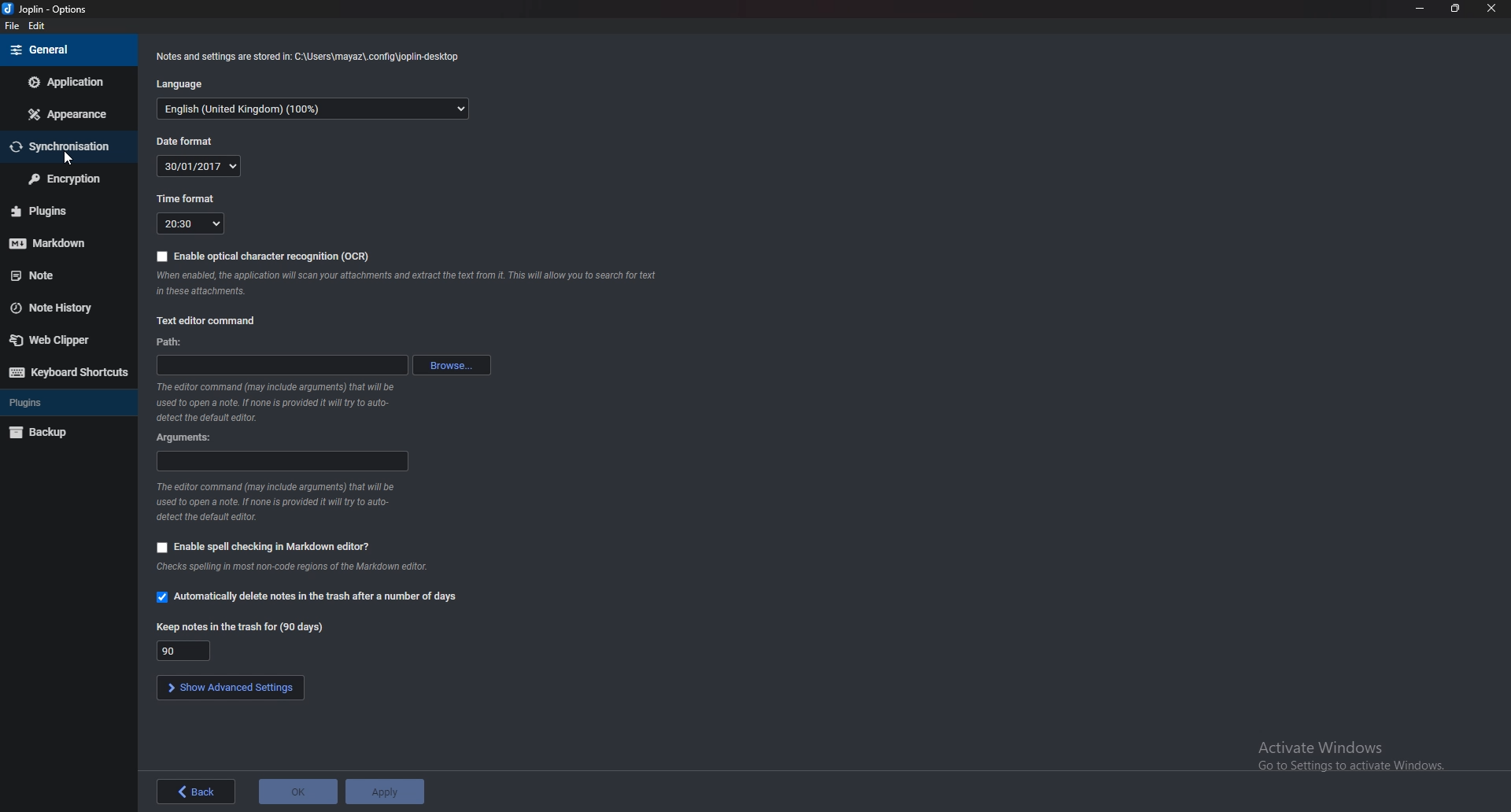  What do you see at coordinates (263, 547) in the screenshot?
I see `enable spell check` at bounding box center [263, 547].